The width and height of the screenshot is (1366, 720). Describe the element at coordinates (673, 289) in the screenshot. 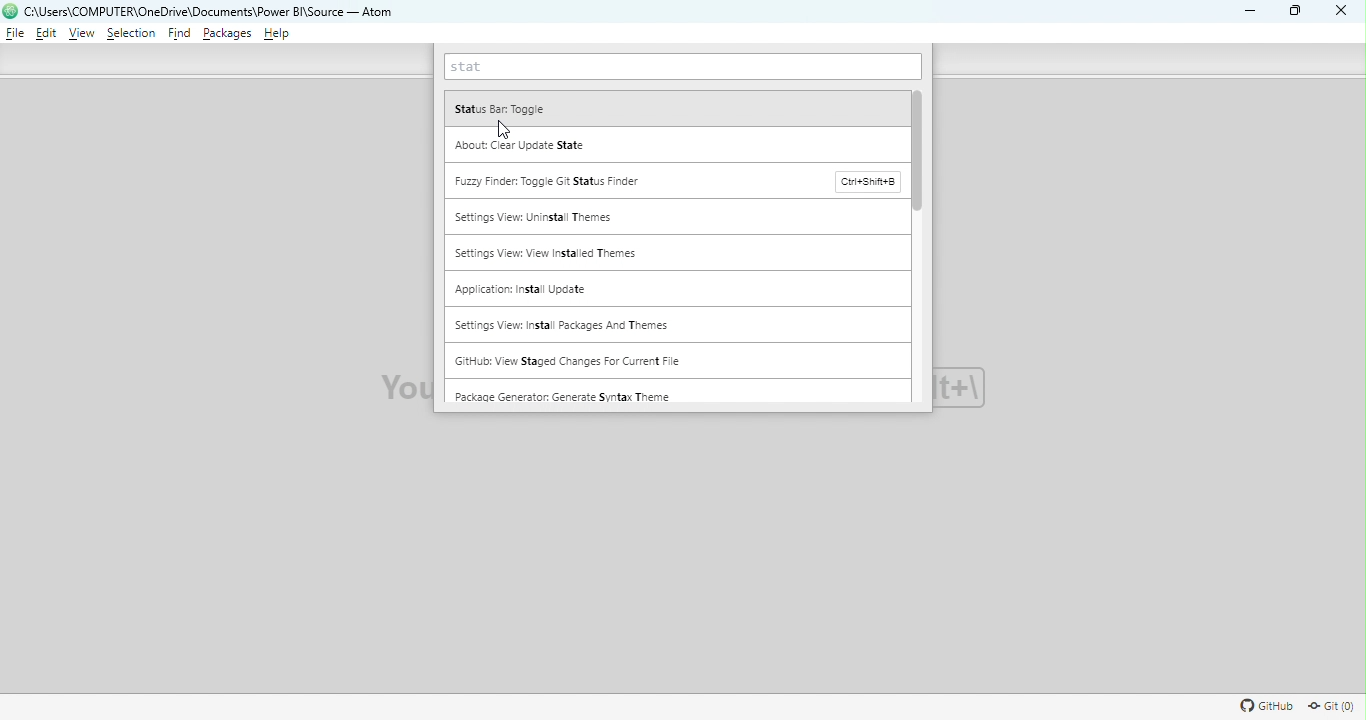

I see `Application: Install update` at that location.